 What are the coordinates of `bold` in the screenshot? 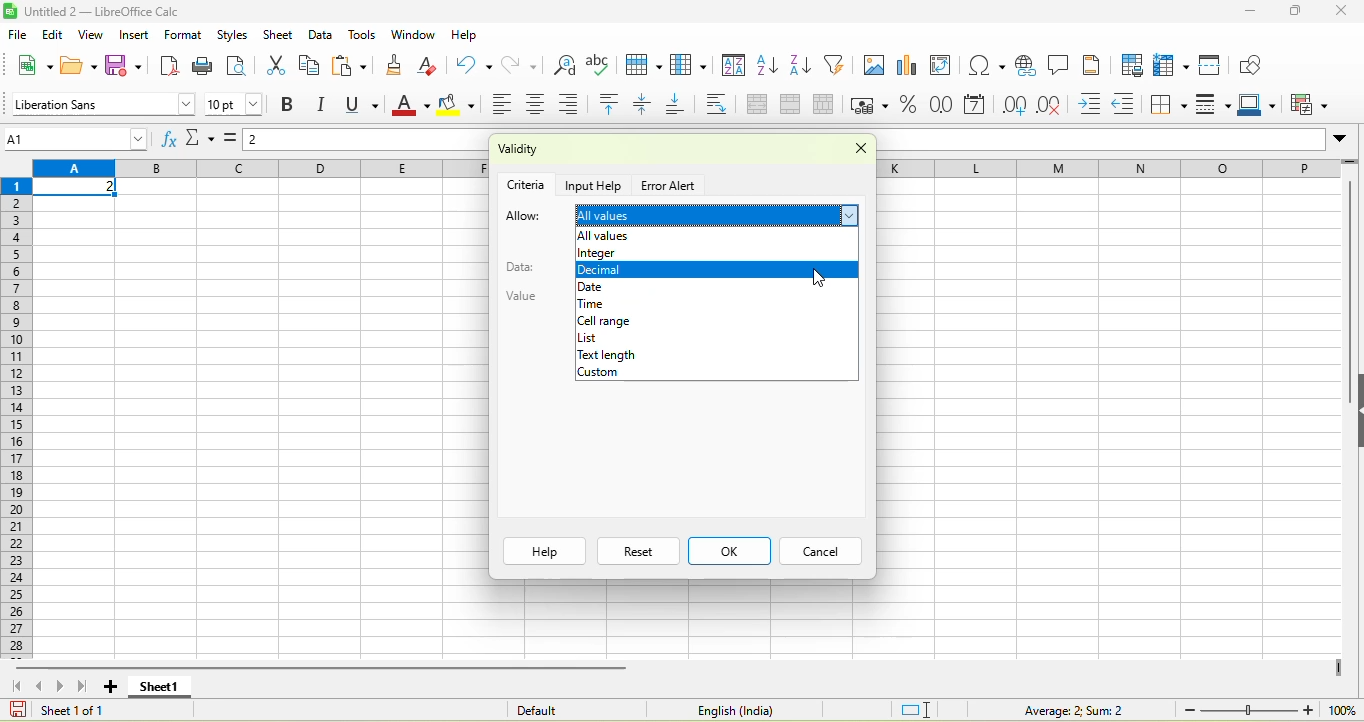 It's located at (289, 106).